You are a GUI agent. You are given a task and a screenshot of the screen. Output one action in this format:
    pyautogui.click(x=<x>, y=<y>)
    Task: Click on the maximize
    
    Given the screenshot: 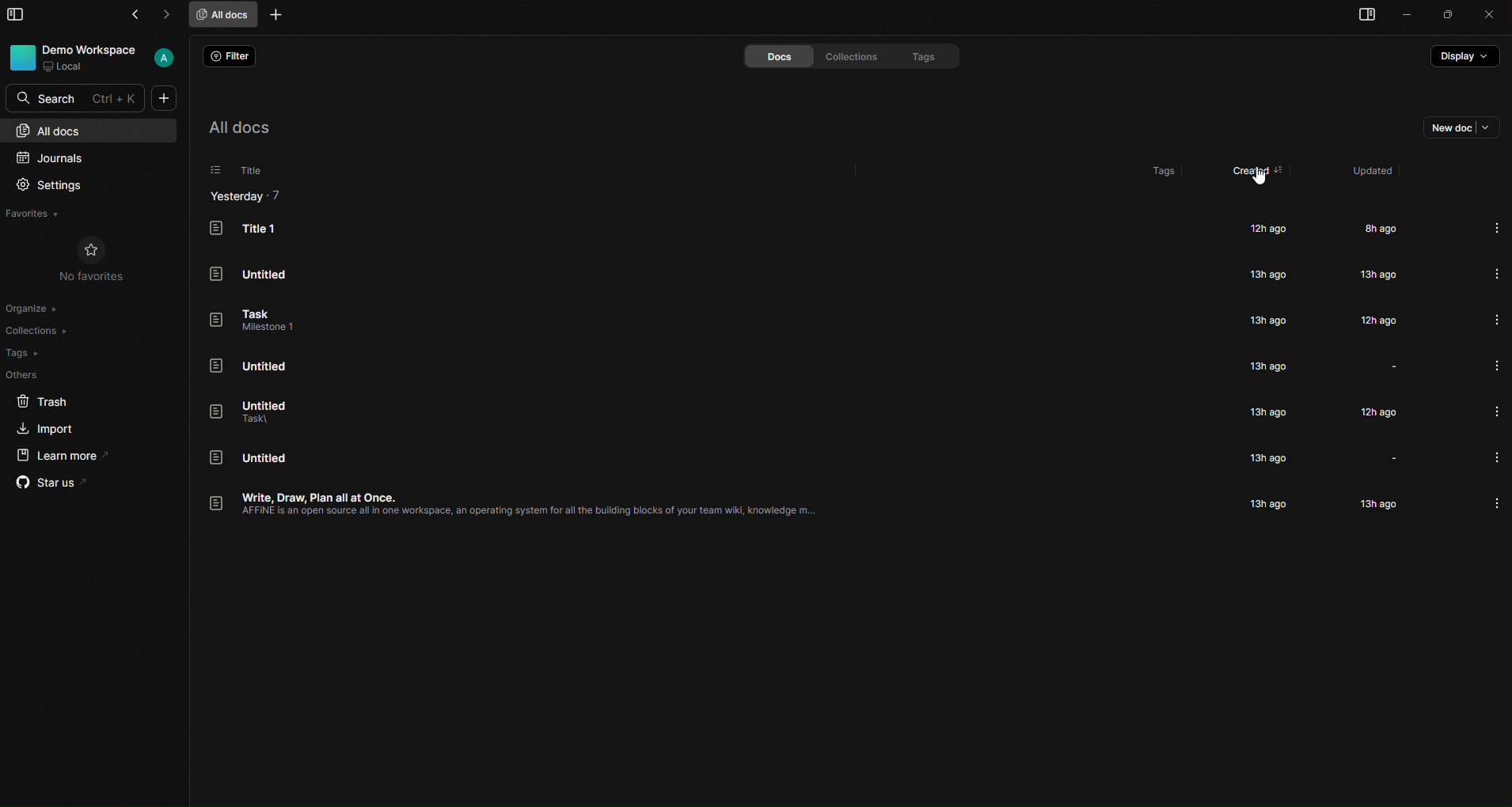 What is the action you would take?
    pyautogui.click(x=1446, y=16)
    